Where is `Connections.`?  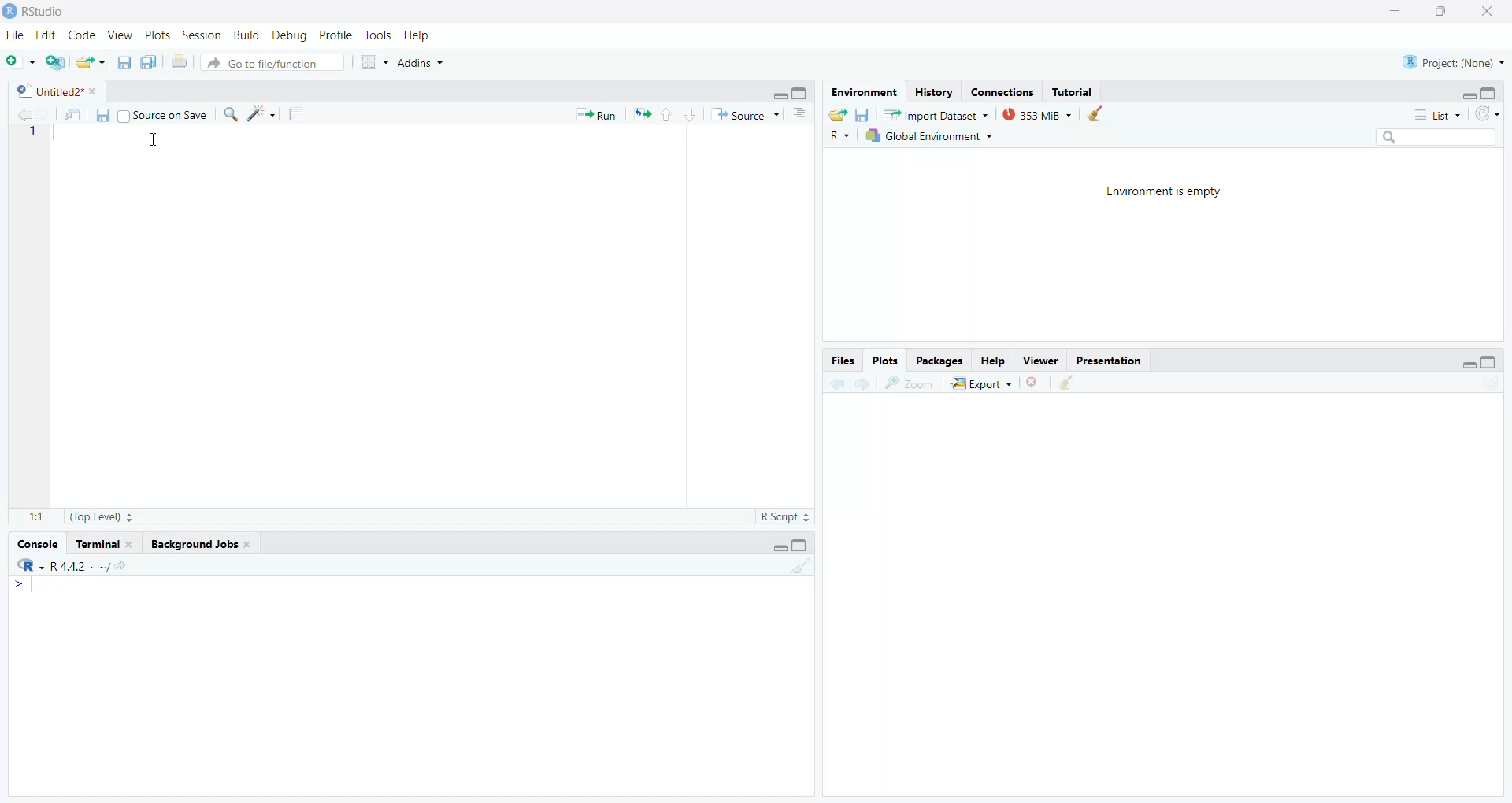 Connections. is located at coordinates (1005, 93).